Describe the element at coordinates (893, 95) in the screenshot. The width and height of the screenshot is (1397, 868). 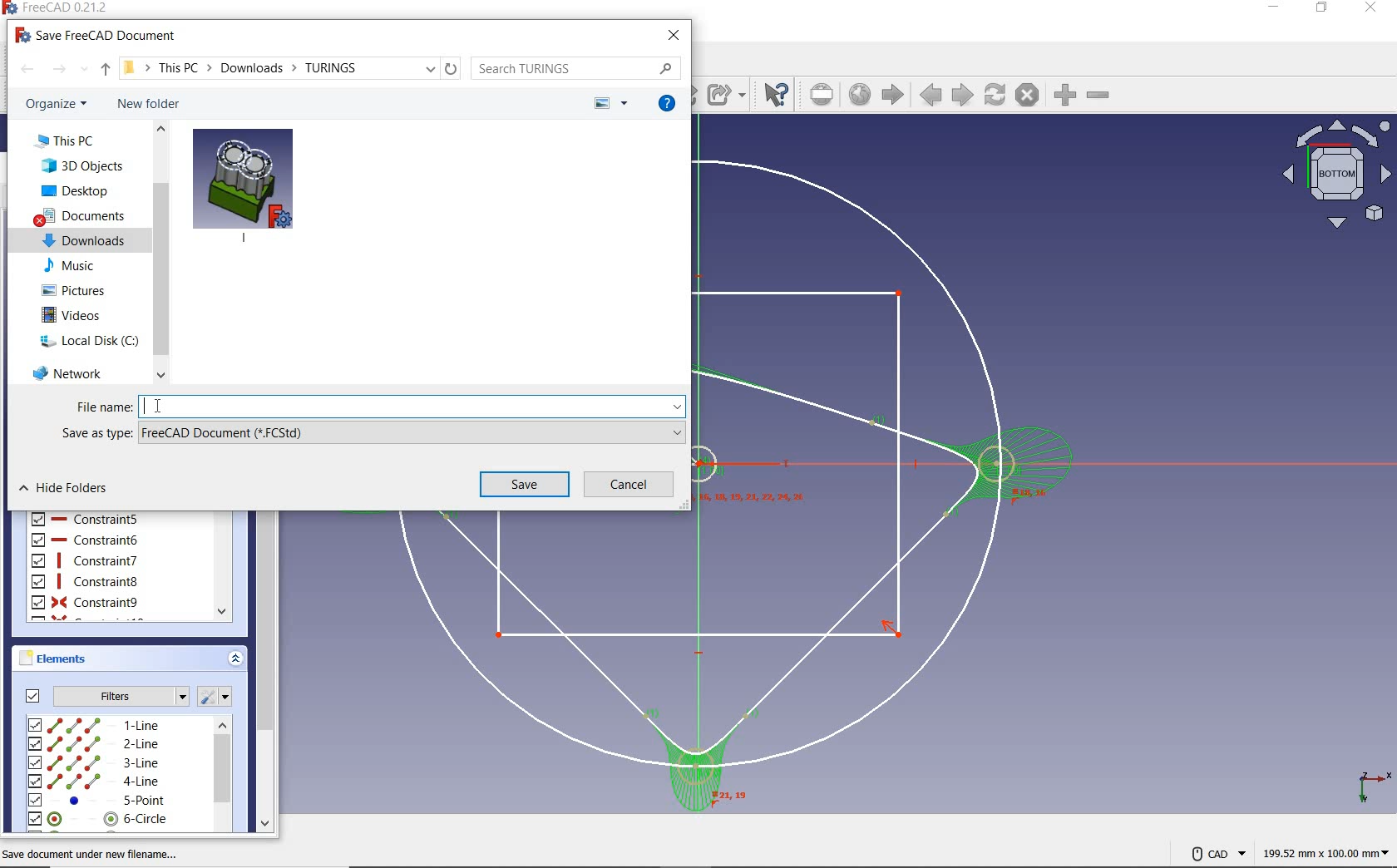
I see `start page` at that location.